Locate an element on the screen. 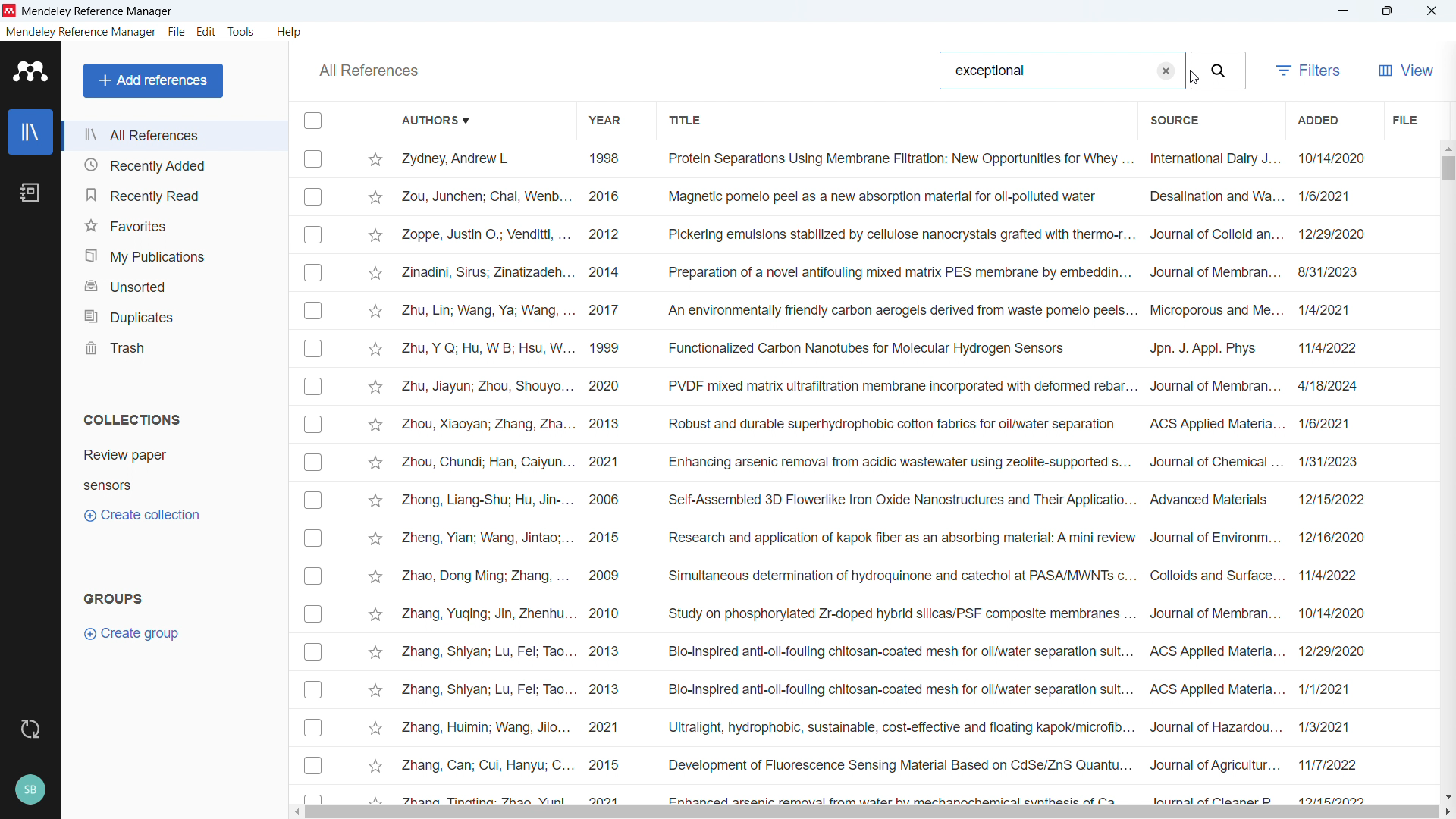  Scroll left  is located at coordinates (294, 812).